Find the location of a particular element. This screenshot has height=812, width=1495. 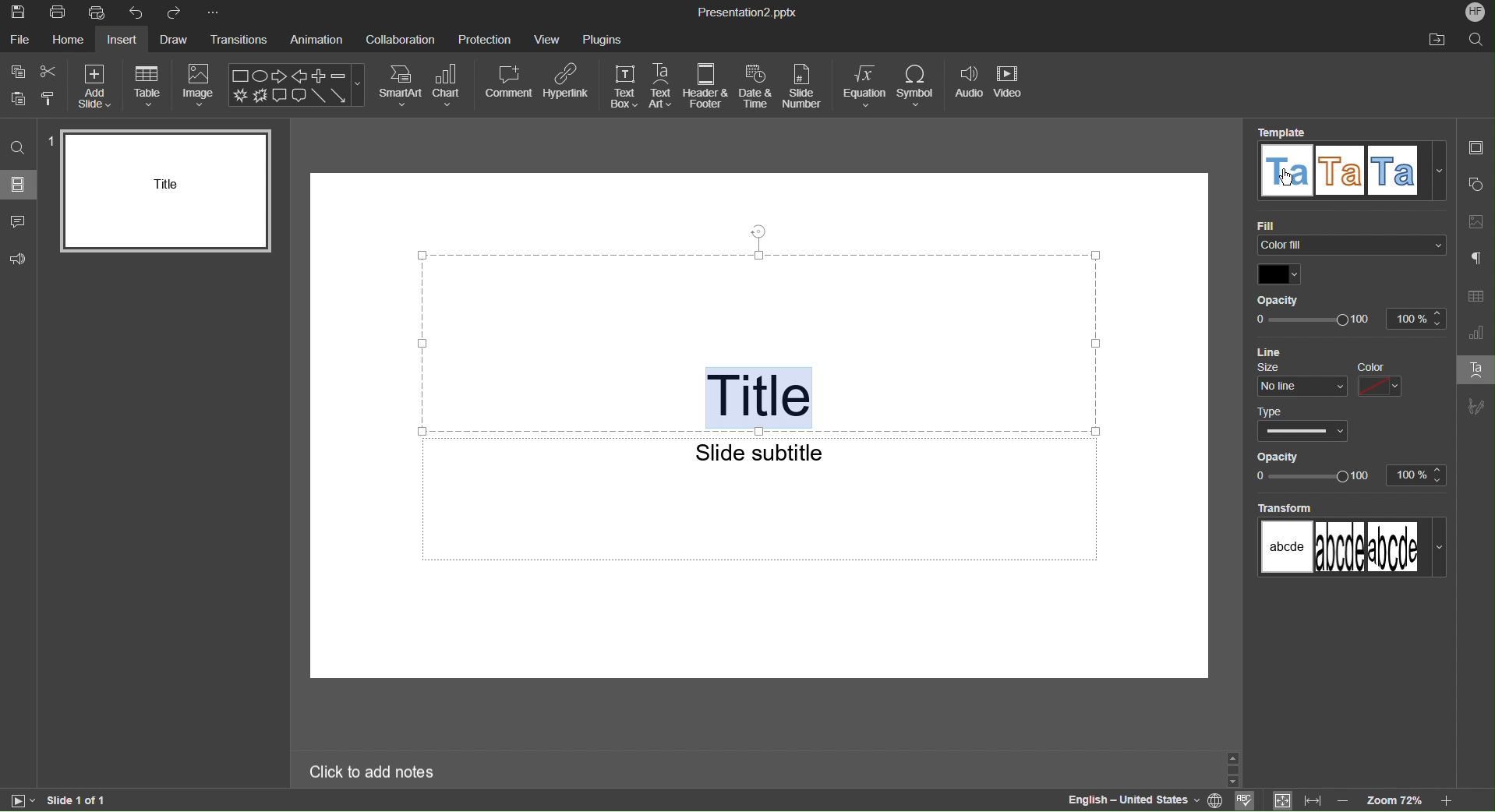

Template is located at coordinates (1347, 166).